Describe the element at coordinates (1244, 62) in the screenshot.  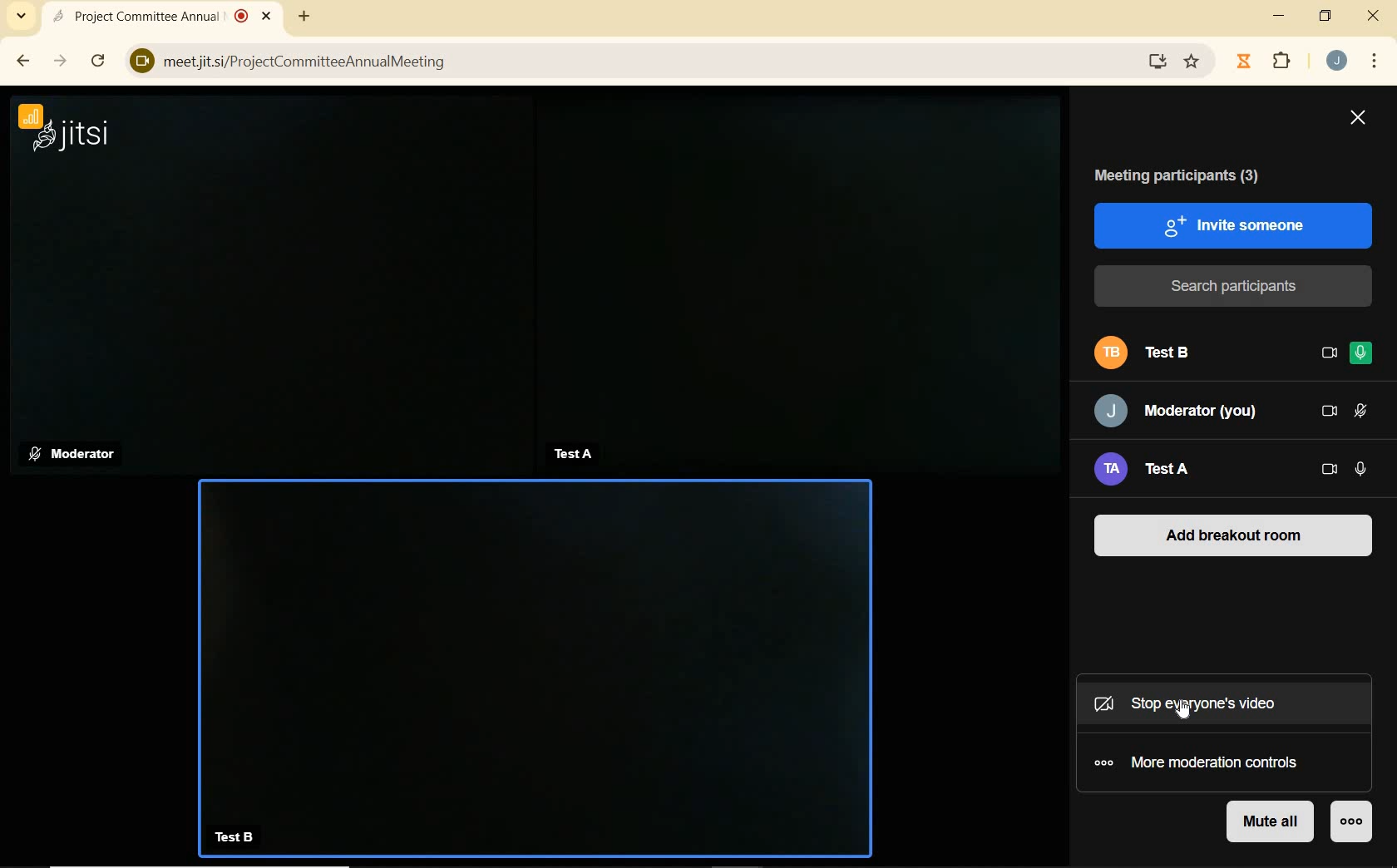
I see `Jibble` at that location.